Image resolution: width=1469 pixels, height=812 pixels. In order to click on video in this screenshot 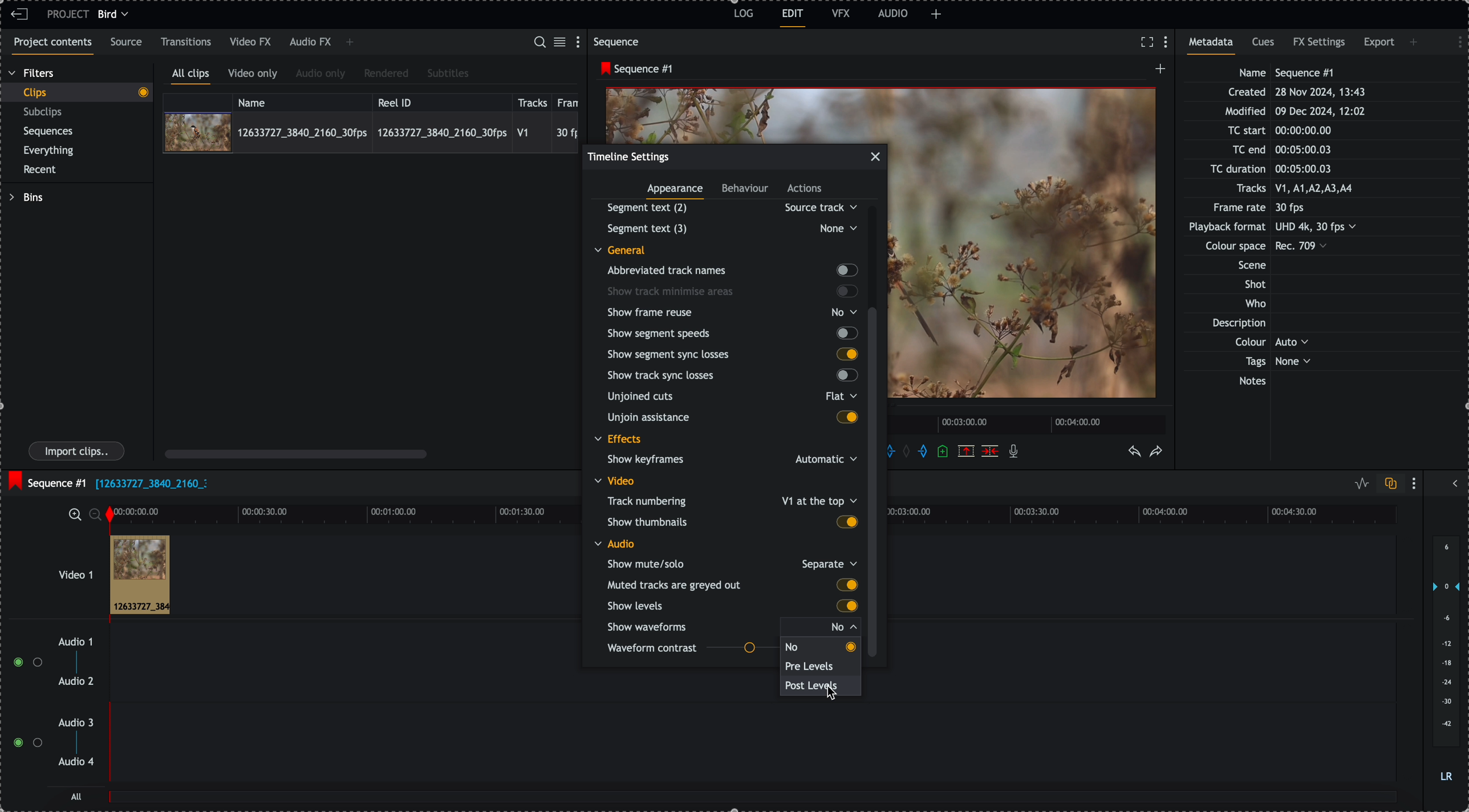, I will do `click(618, 481)`.